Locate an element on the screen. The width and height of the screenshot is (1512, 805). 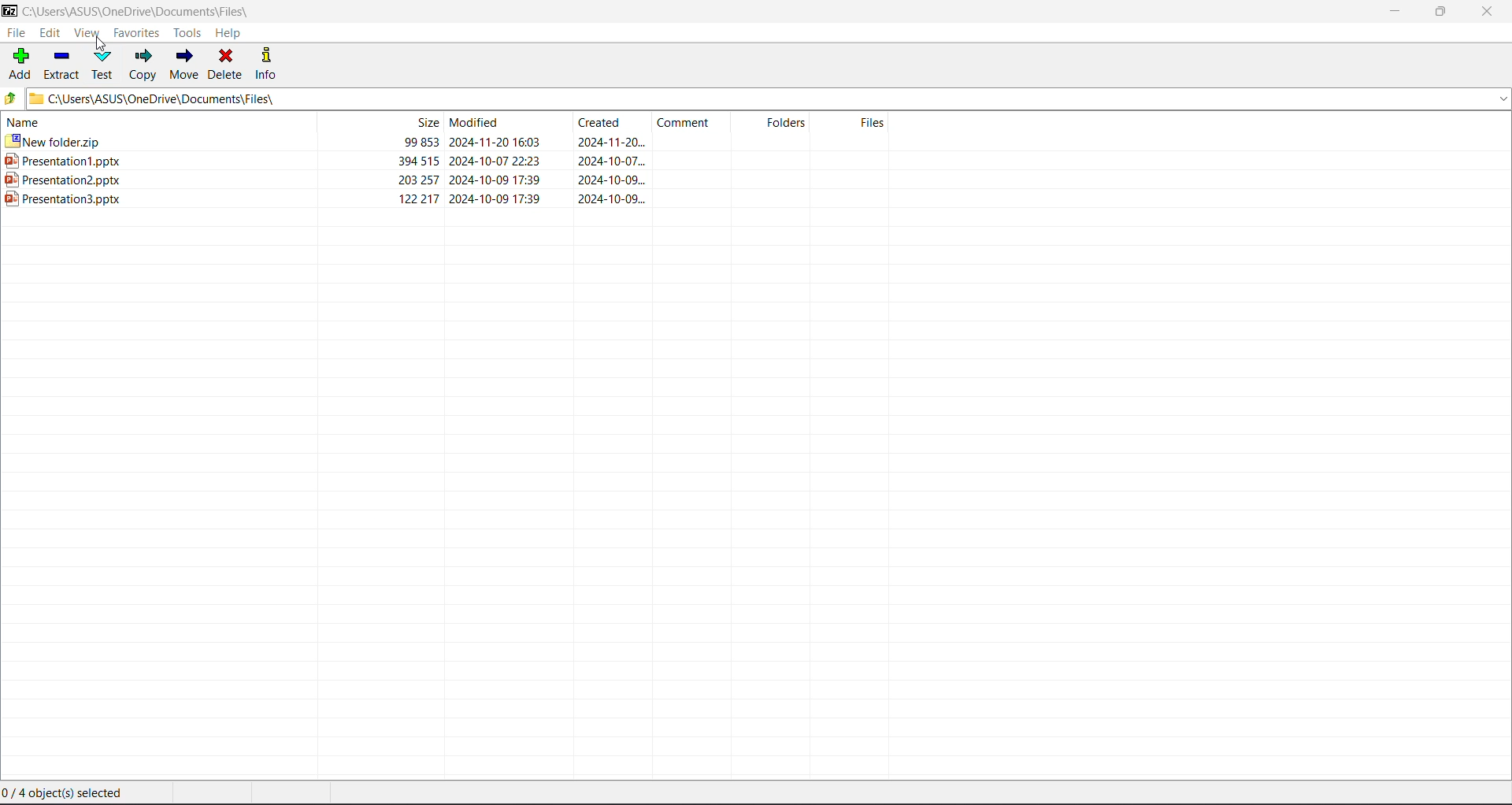
Info is located at coordinates (267, 63).